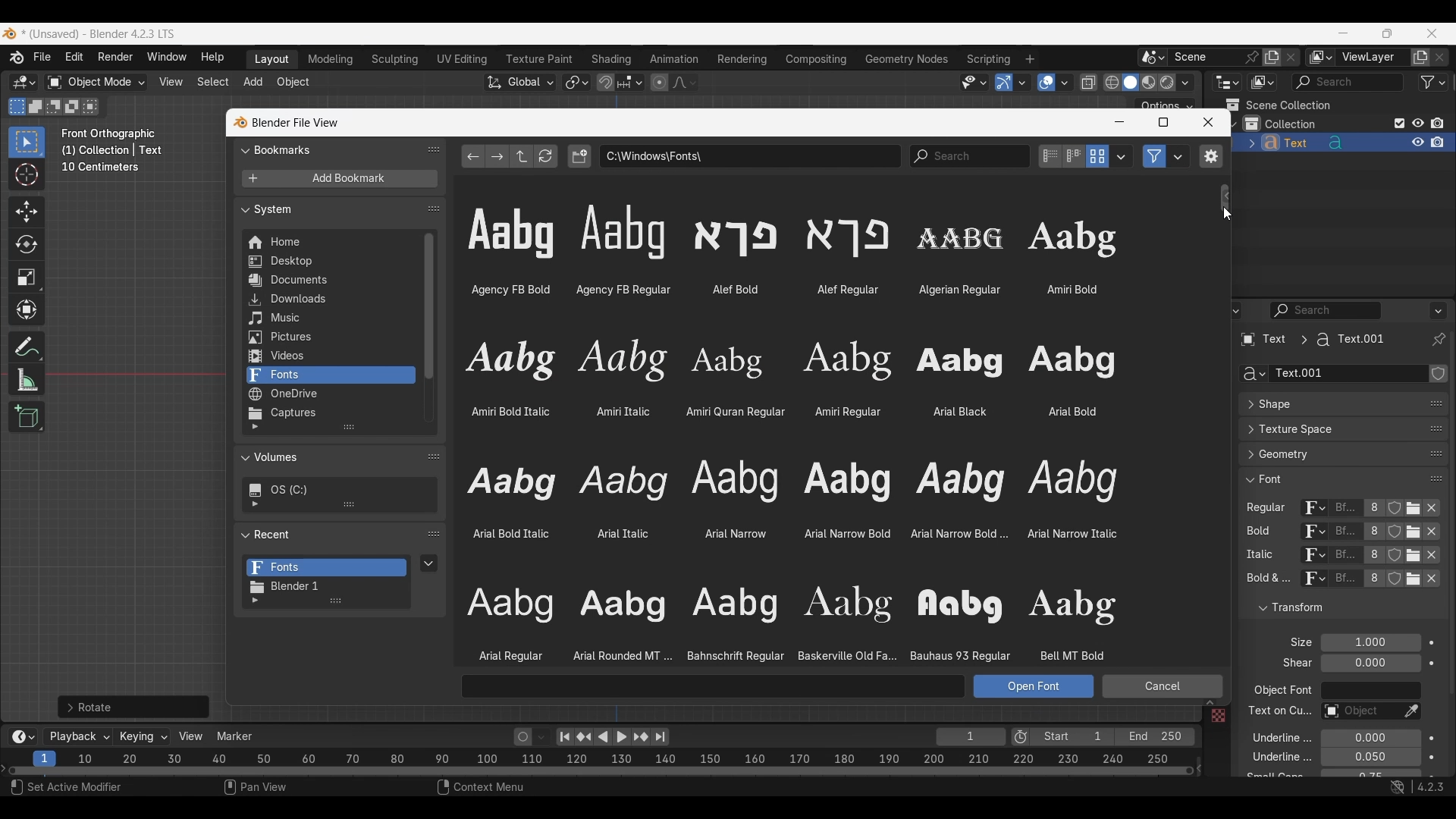 This screenshot has width=1456, height=819. Describe the element at coordinates (330, 375) in the screenshot. I see `Fonts folder, current selection` at that location.